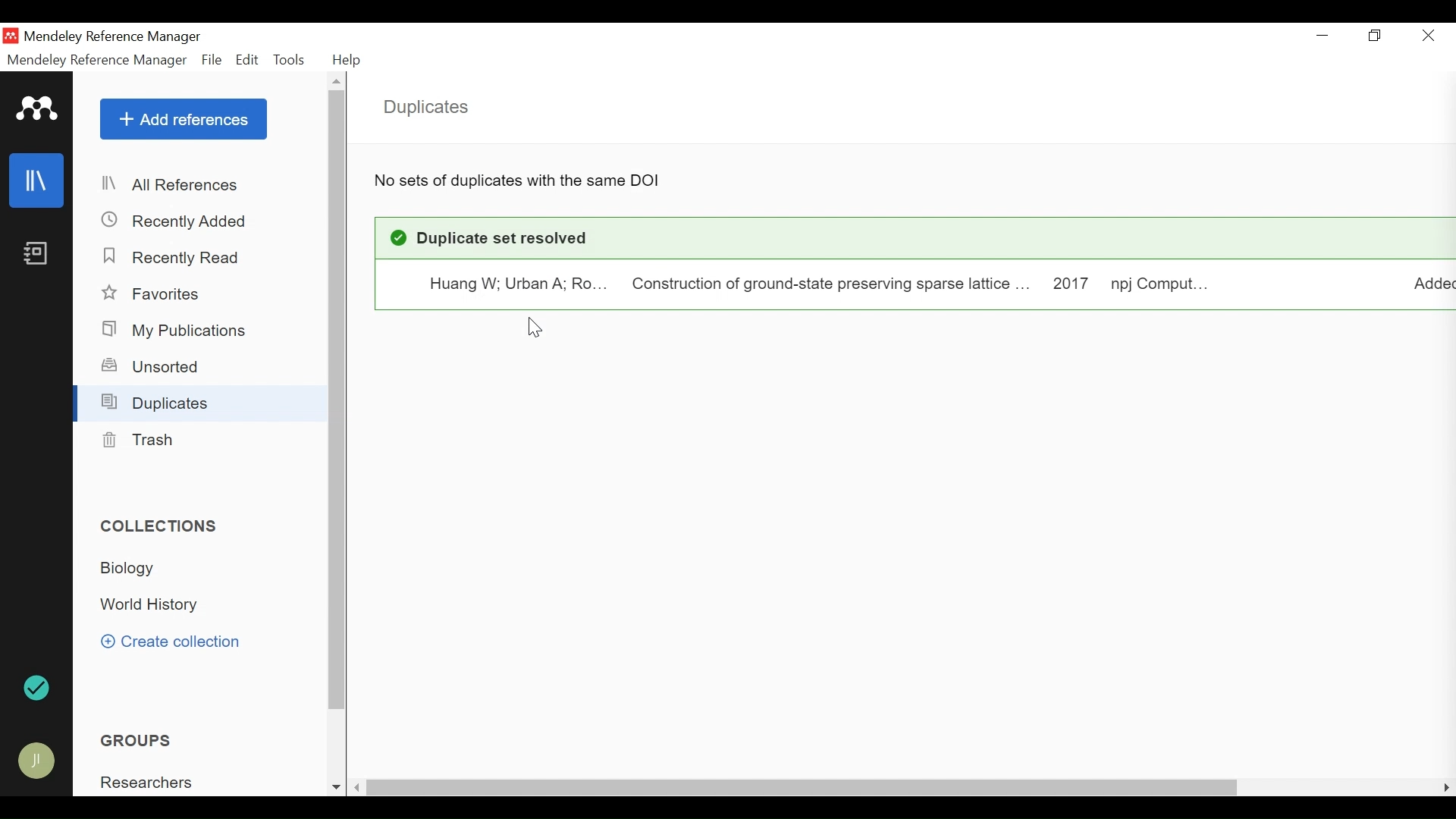  Describe the element at coordinates (156, 402) in the screenshot. I see `Duplicates` at that location.